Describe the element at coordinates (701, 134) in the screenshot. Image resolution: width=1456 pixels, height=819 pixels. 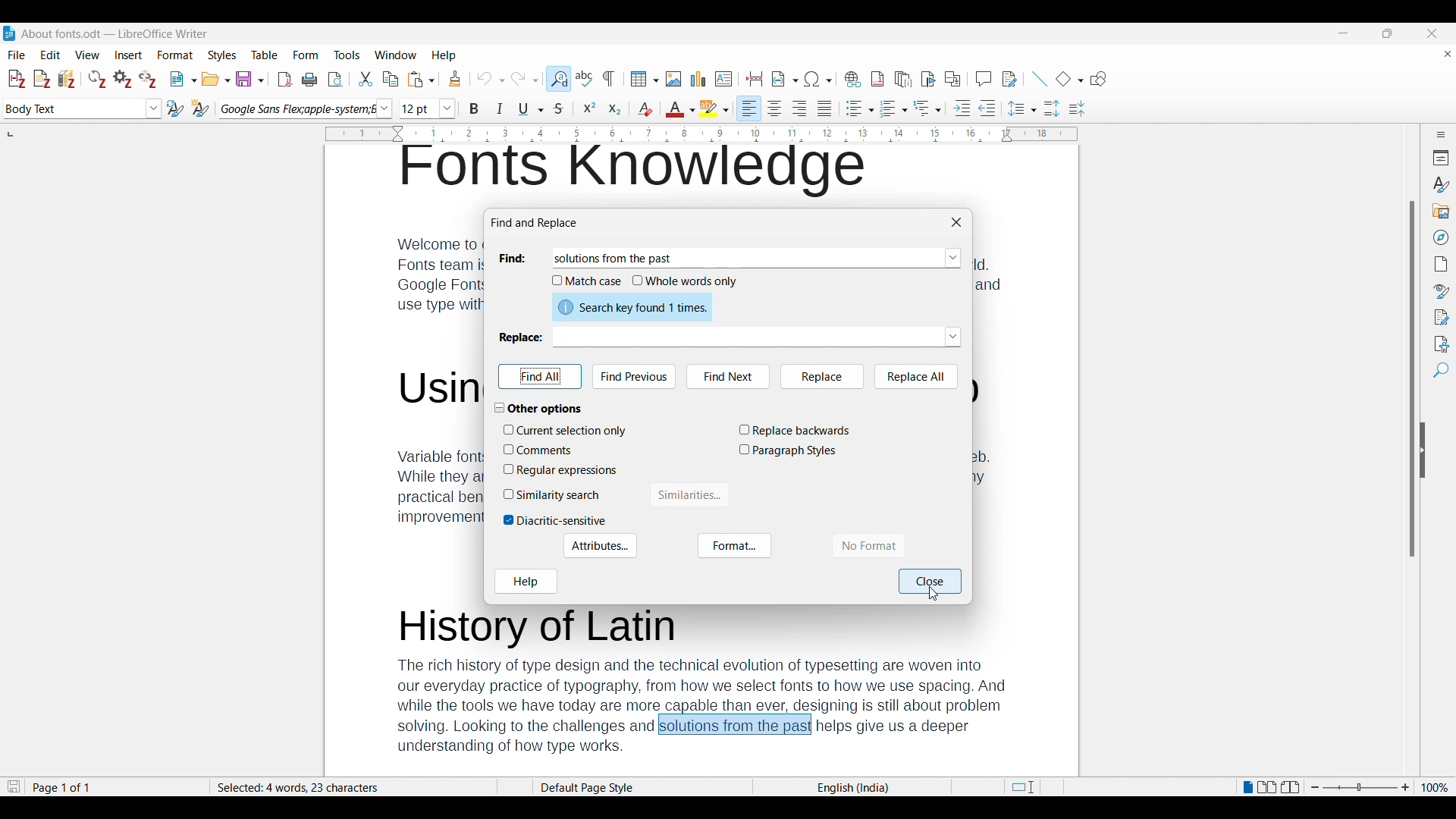
I see `Page horizontal ruler` at that location.